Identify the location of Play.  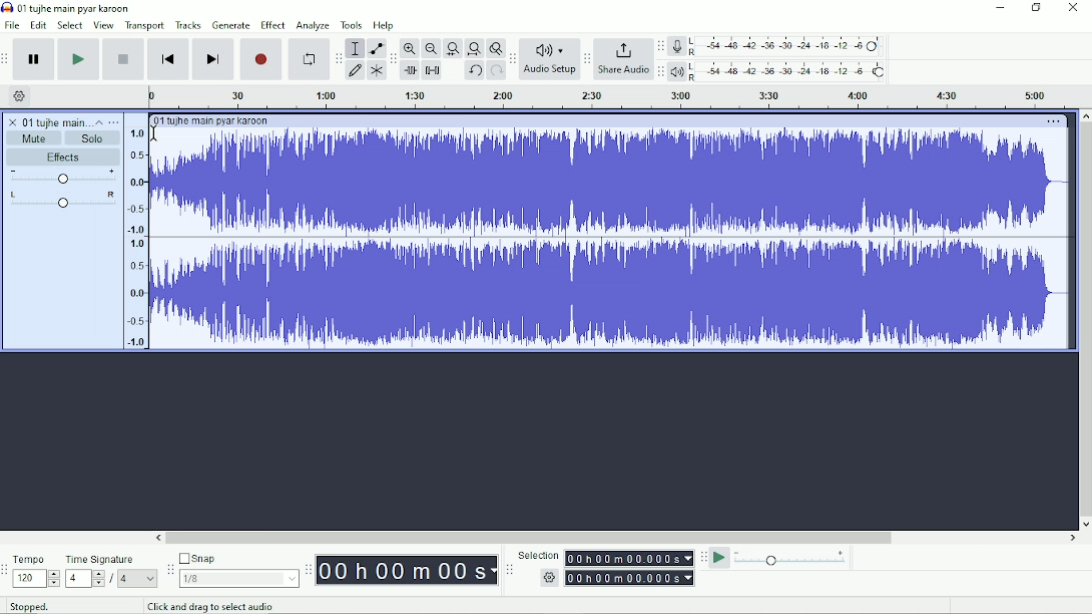
(80, 59).